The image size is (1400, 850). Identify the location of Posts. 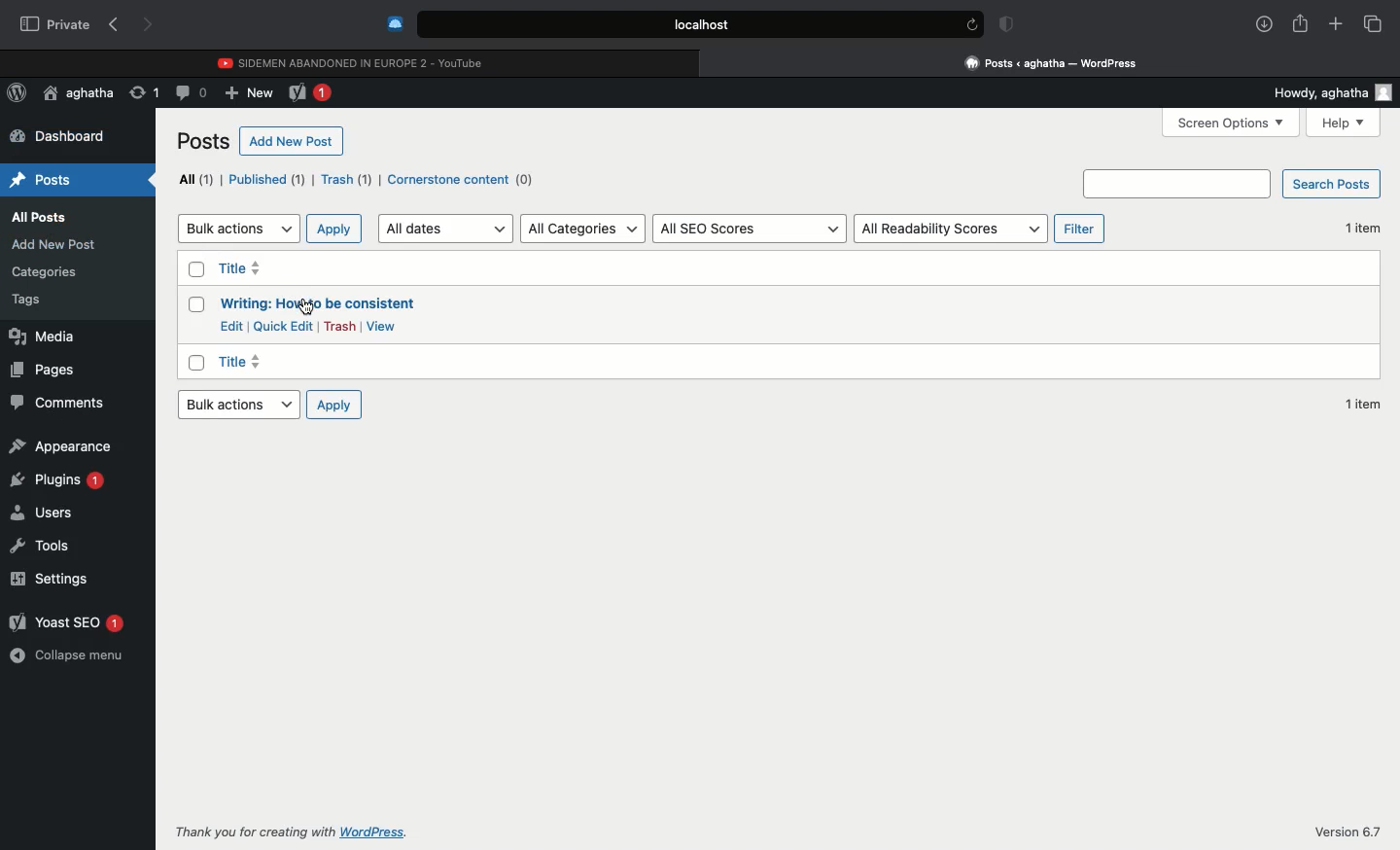
(204, 141).